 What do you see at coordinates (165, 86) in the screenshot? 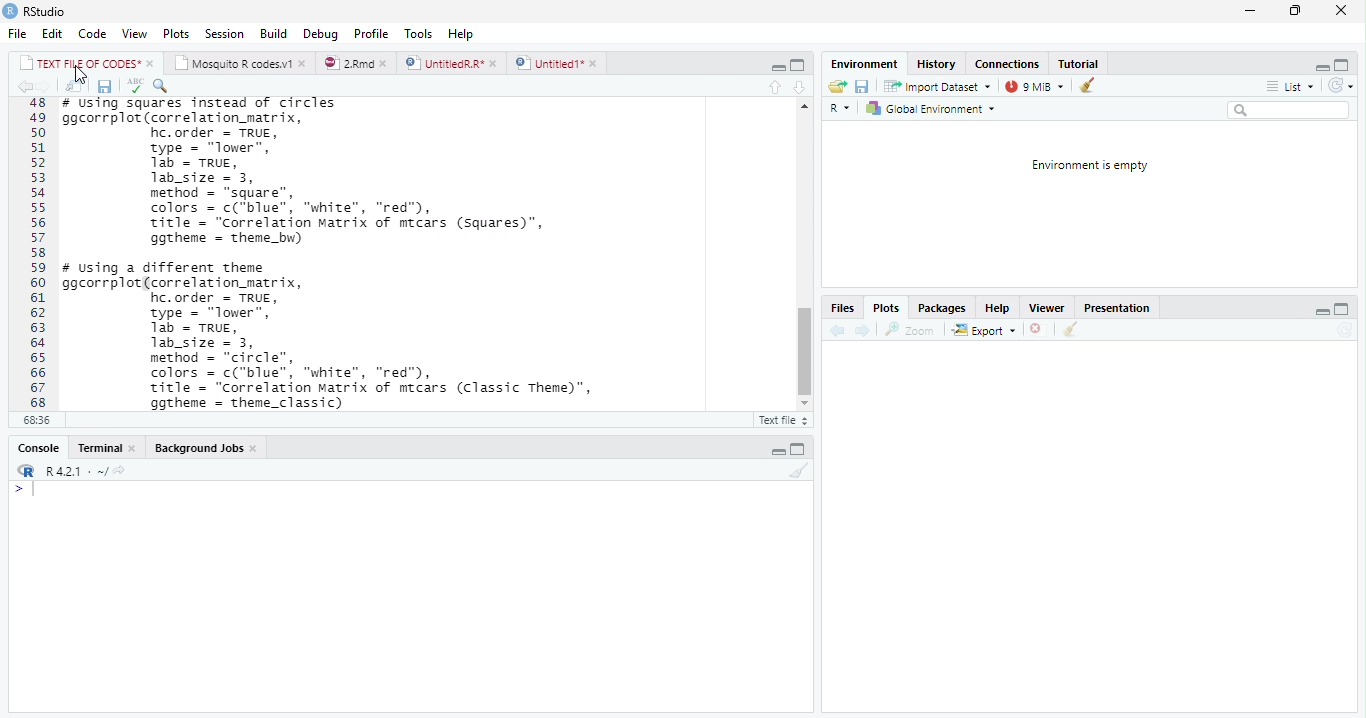
I see `find/replace` at bounding box center [165, 86].